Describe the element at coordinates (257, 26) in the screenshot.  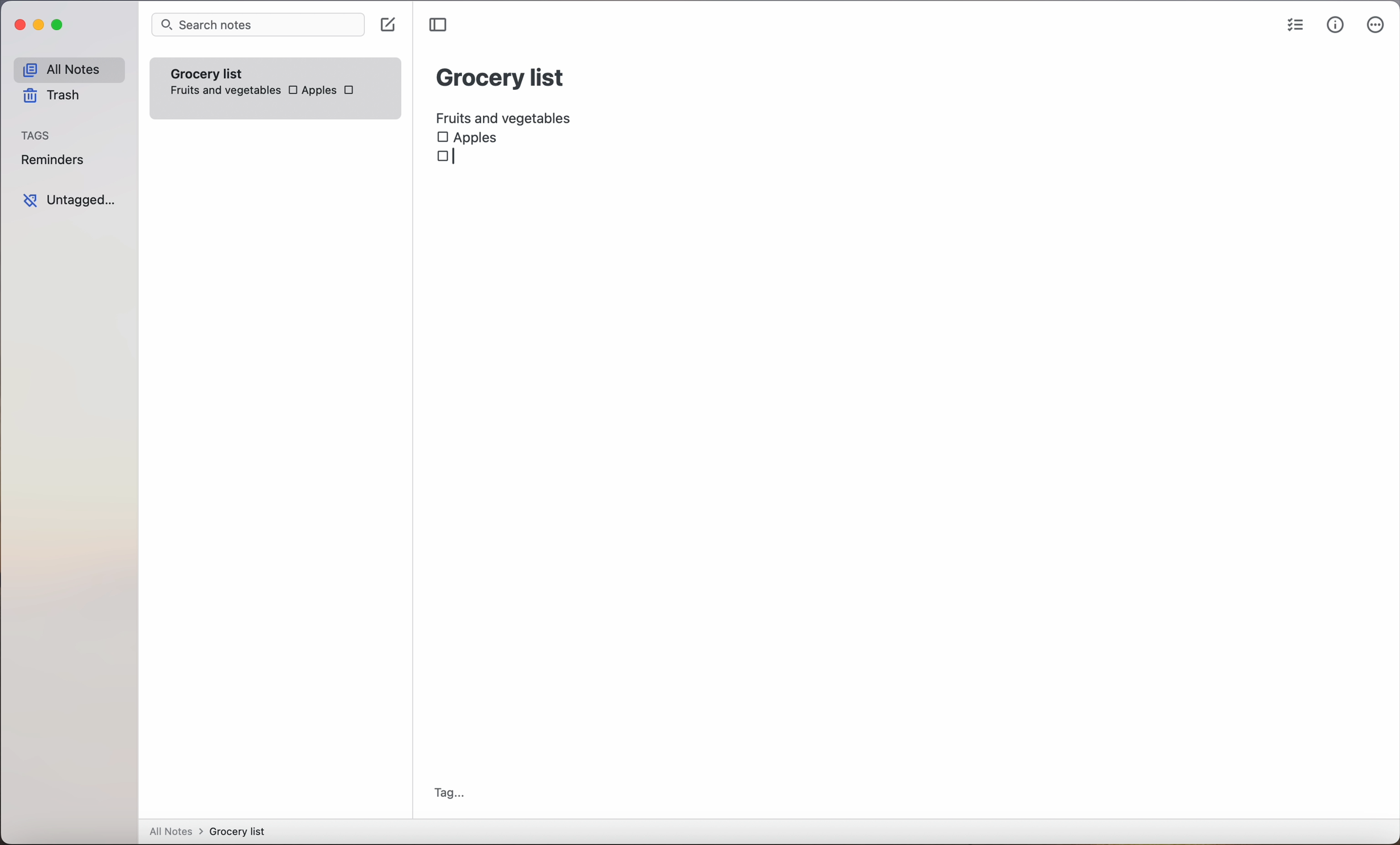
I see `search bar` at that location.